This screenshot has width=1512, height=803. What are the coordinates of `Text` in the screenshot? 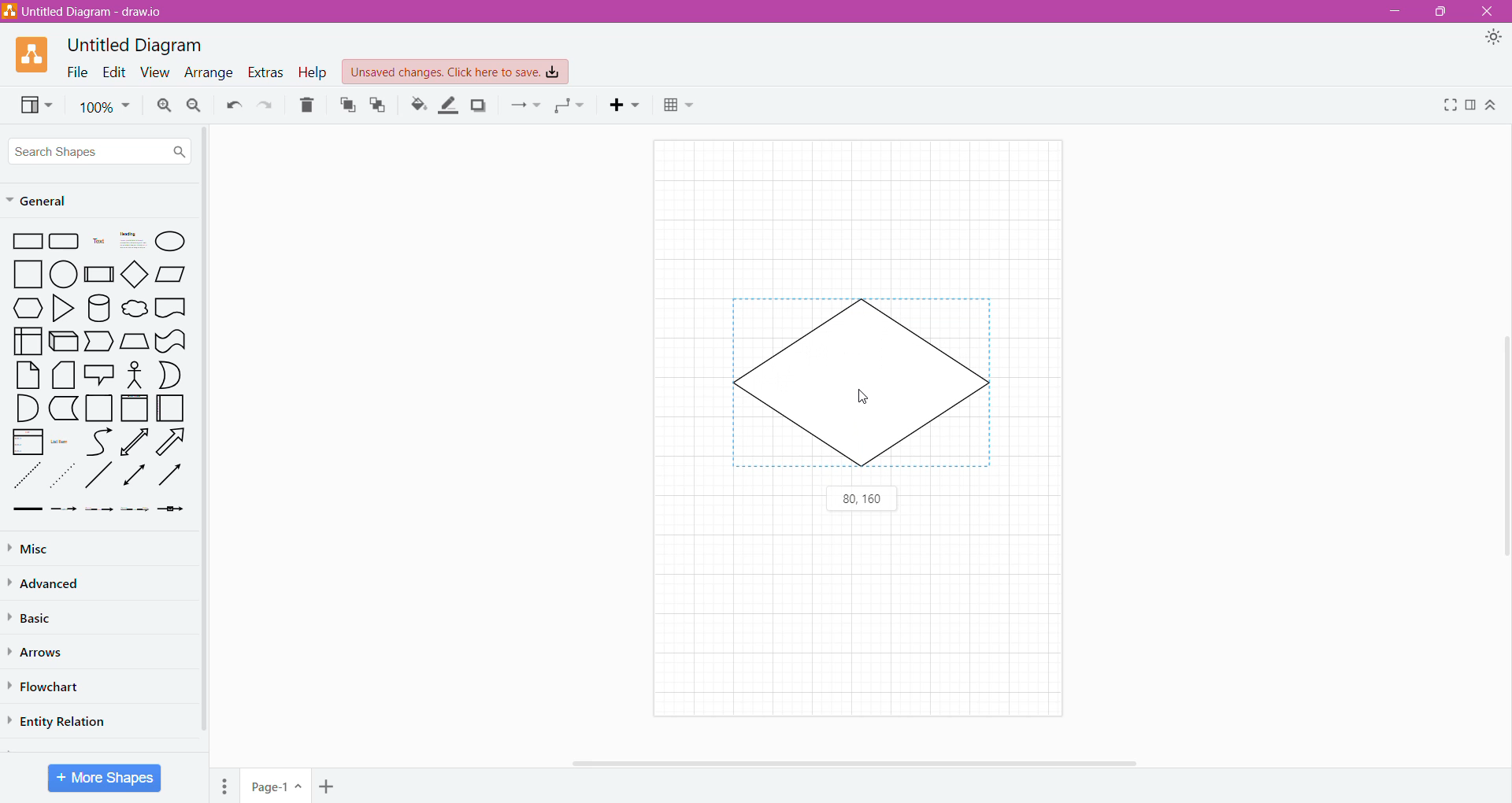 It's located at (98, 242).